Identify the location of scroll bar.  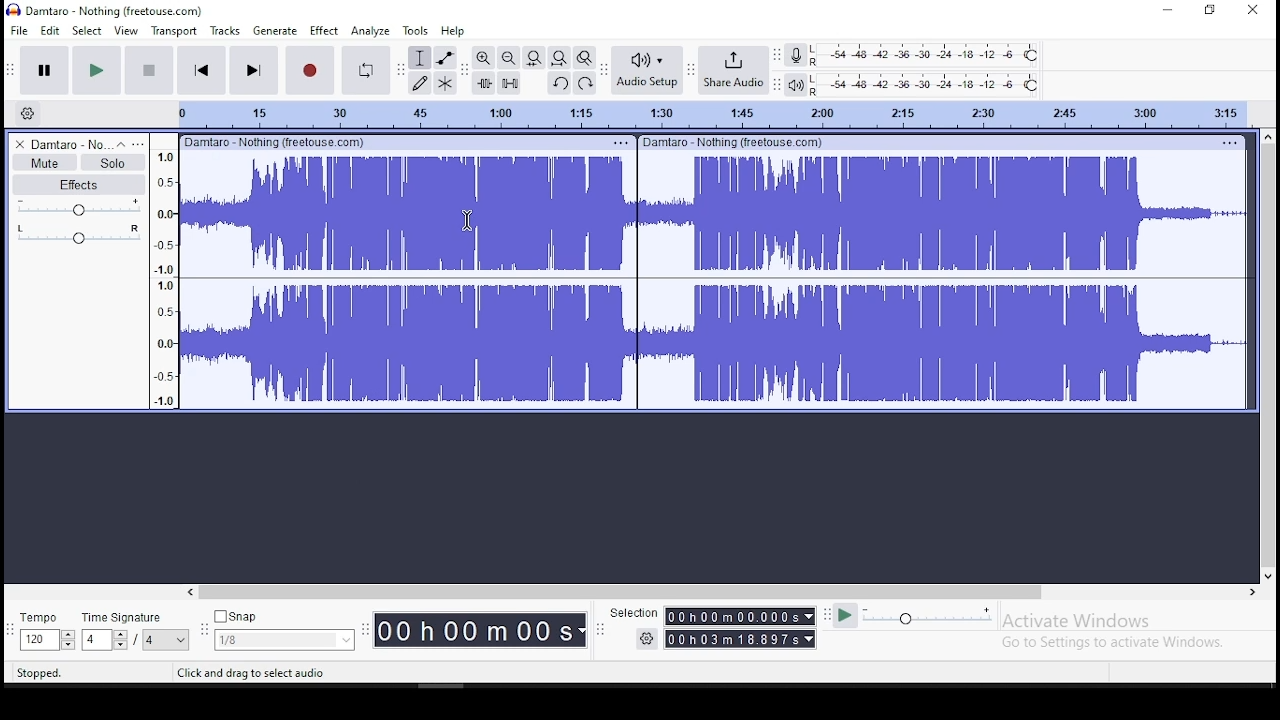
(622, 592).